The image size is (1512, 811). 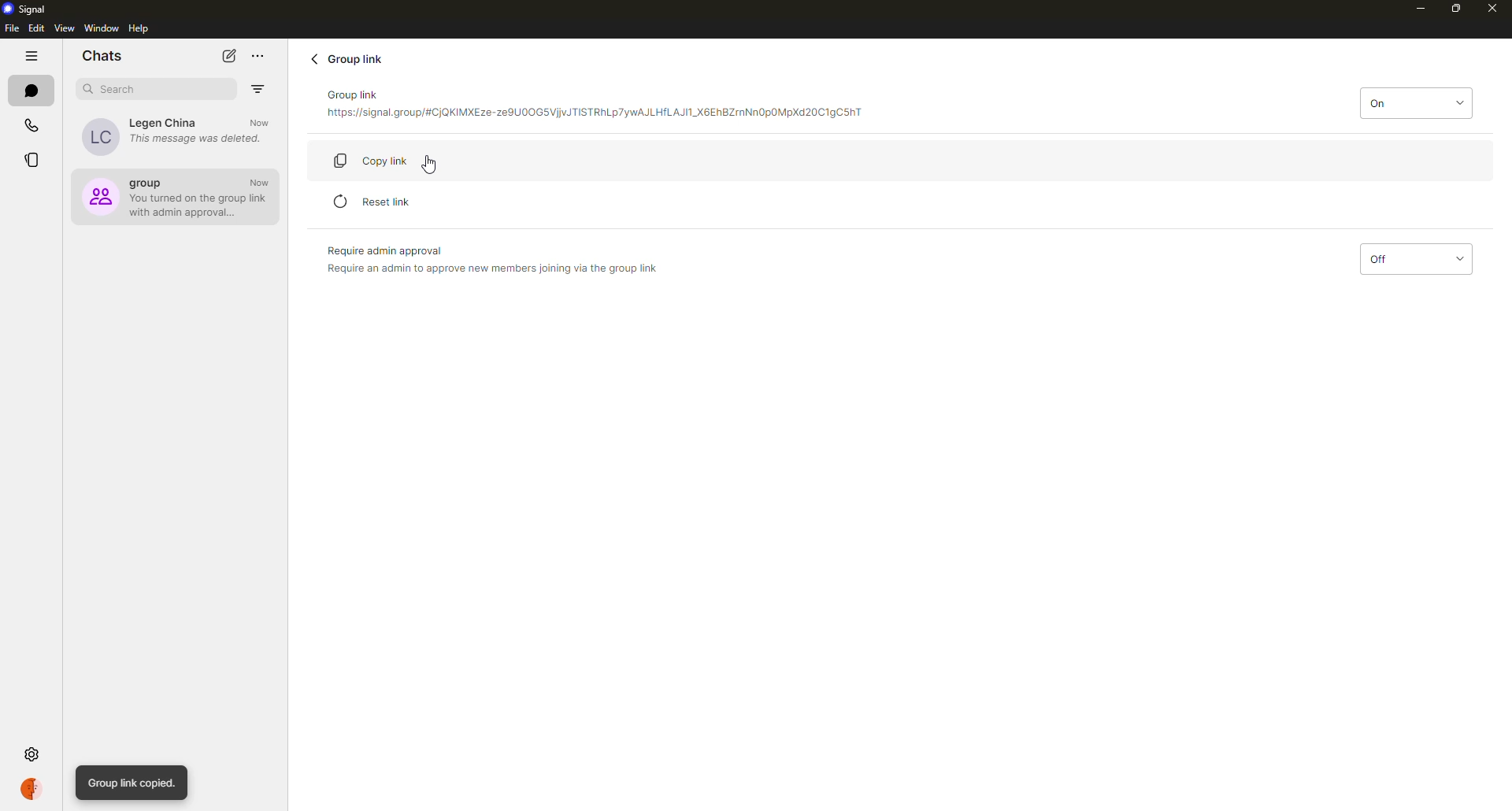 What do you see at coordinates (230, 55) in the screenshot?
I see `new chat` at bounding box center [230, 55].